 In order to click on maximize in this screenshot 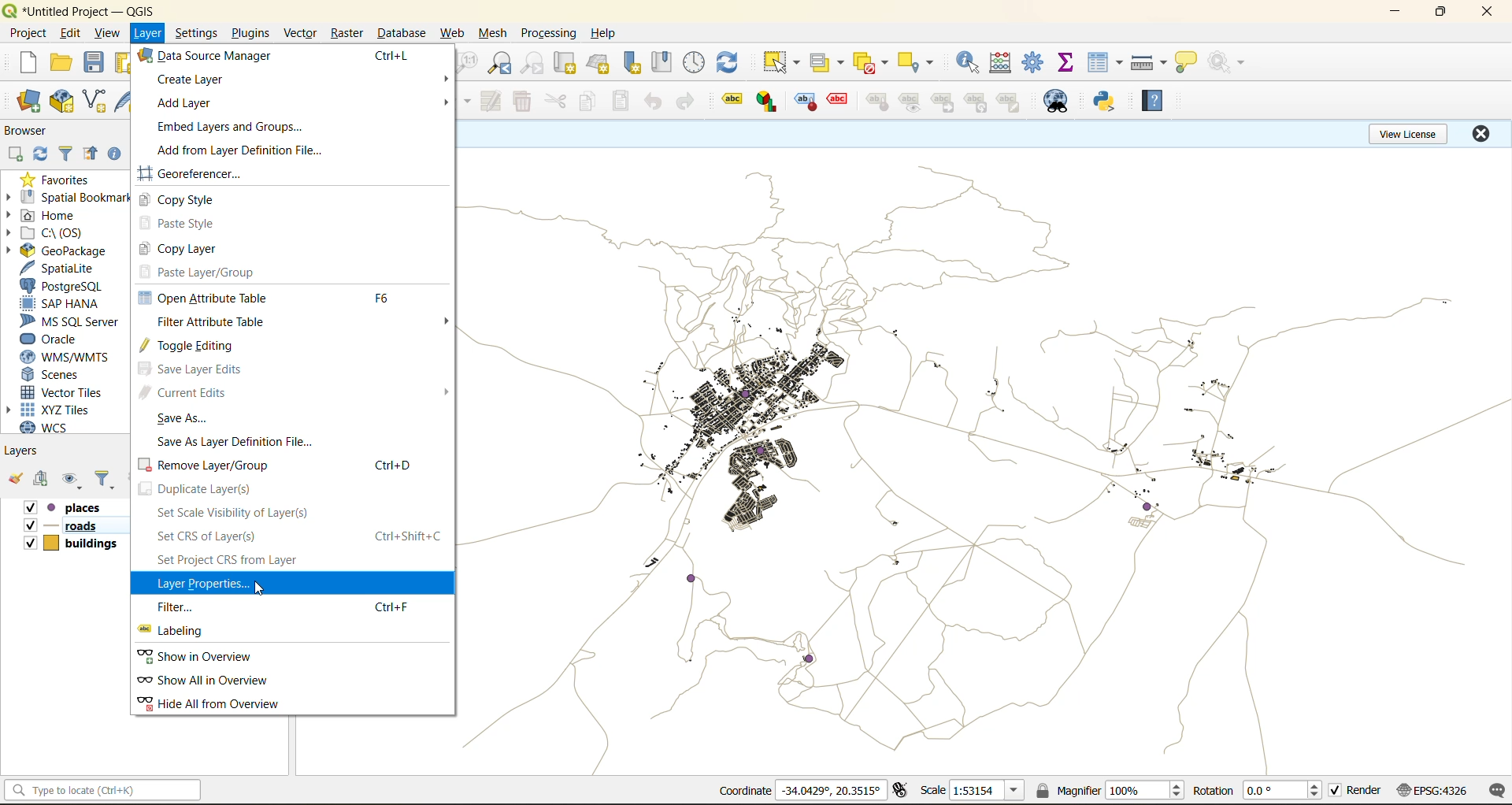, I will do `click(1440, 13)`.